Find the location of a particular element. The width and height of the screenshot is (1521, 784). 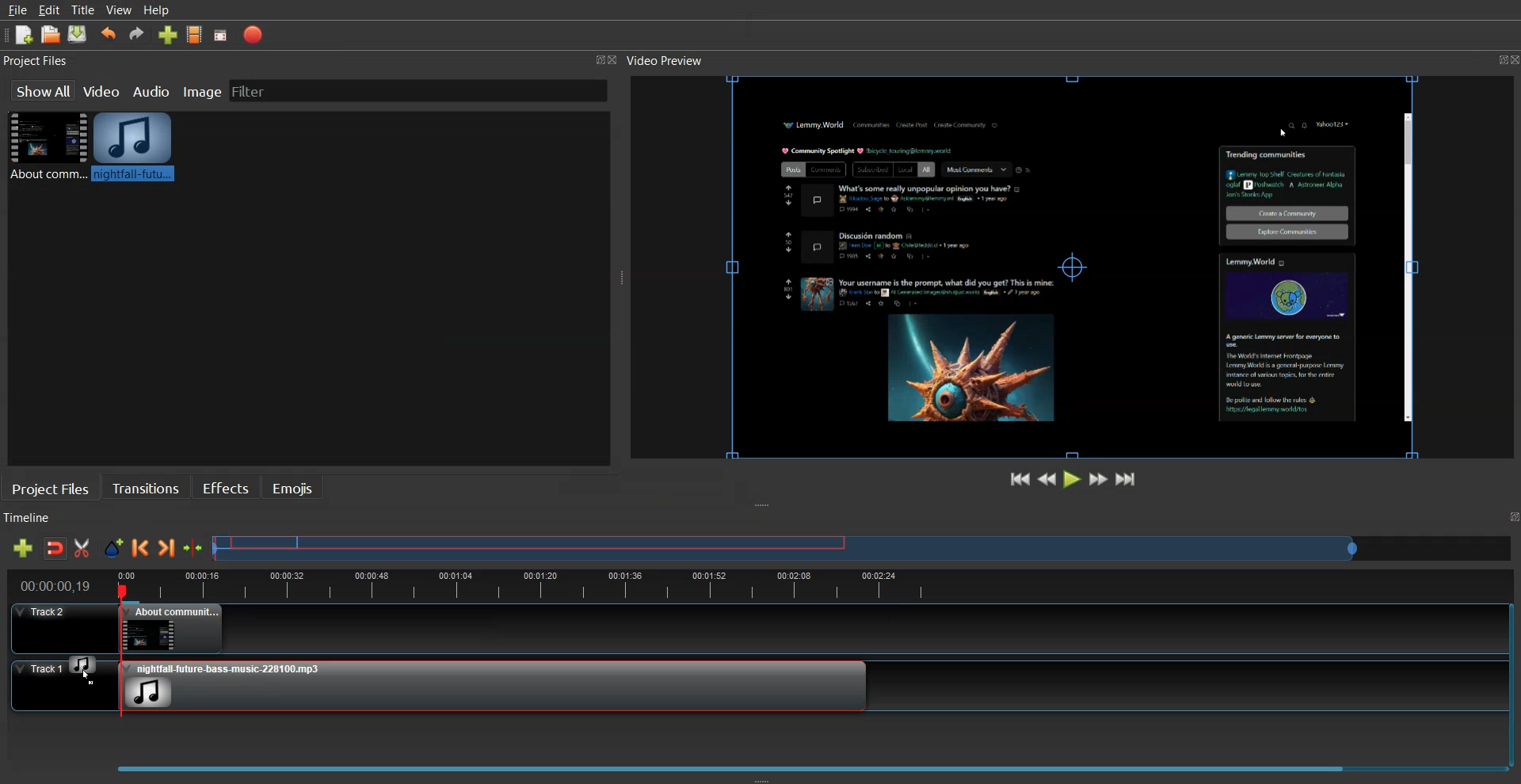

Video Preview is located at coordinates (673, 61).